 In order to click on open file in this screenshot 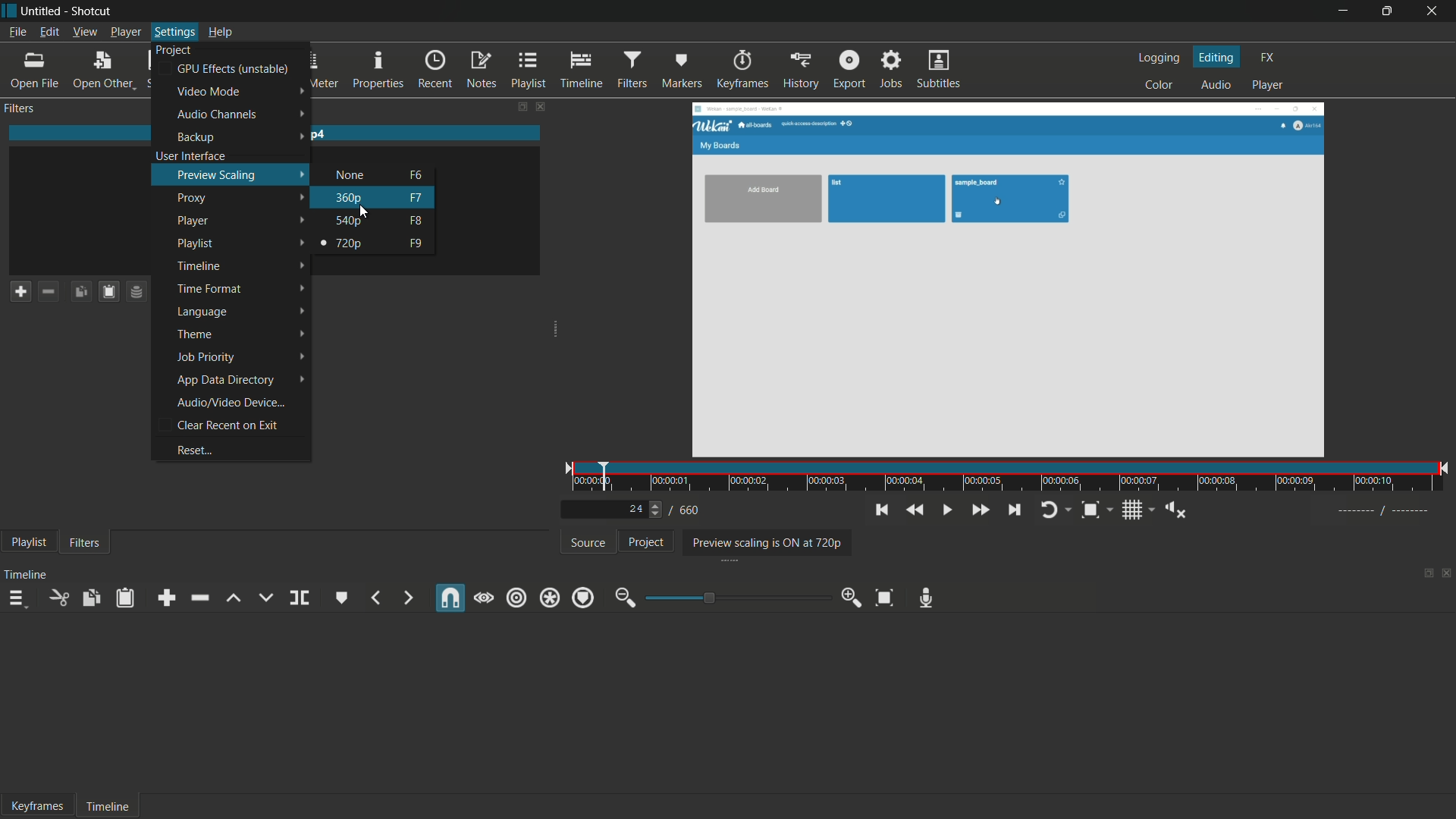, I will do `click(32, 69)`.